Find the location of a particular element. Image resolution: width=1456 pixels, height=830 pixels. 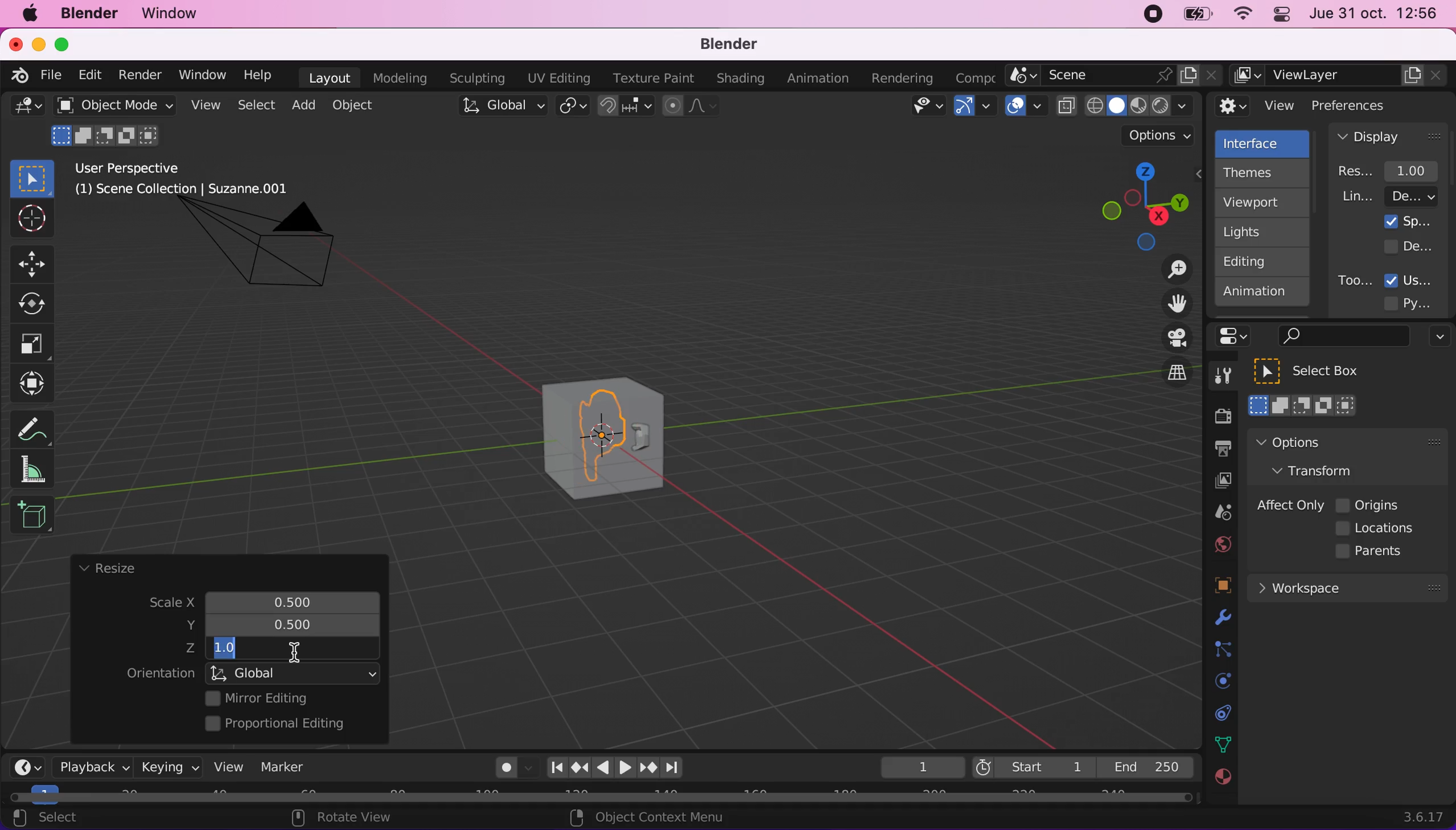

keyframe is located at coordinates (921, 768).